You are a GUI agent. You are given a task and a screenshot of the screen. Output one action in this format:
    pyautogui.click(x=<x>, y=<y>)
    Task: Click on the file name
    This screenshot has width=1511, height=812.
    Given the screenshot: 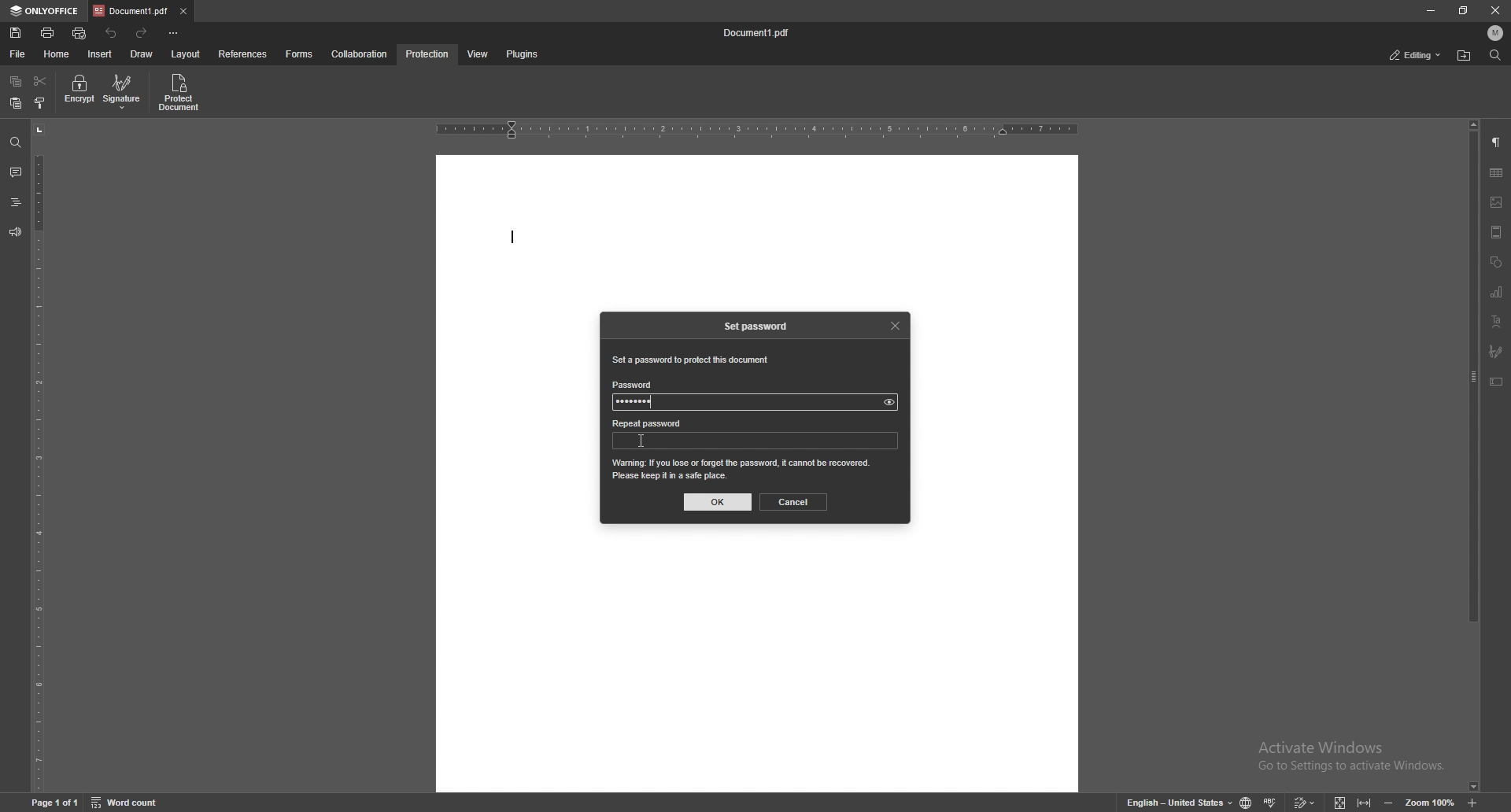 What is the action you would take?
    pyautogui.click(x=759, y=33)
    